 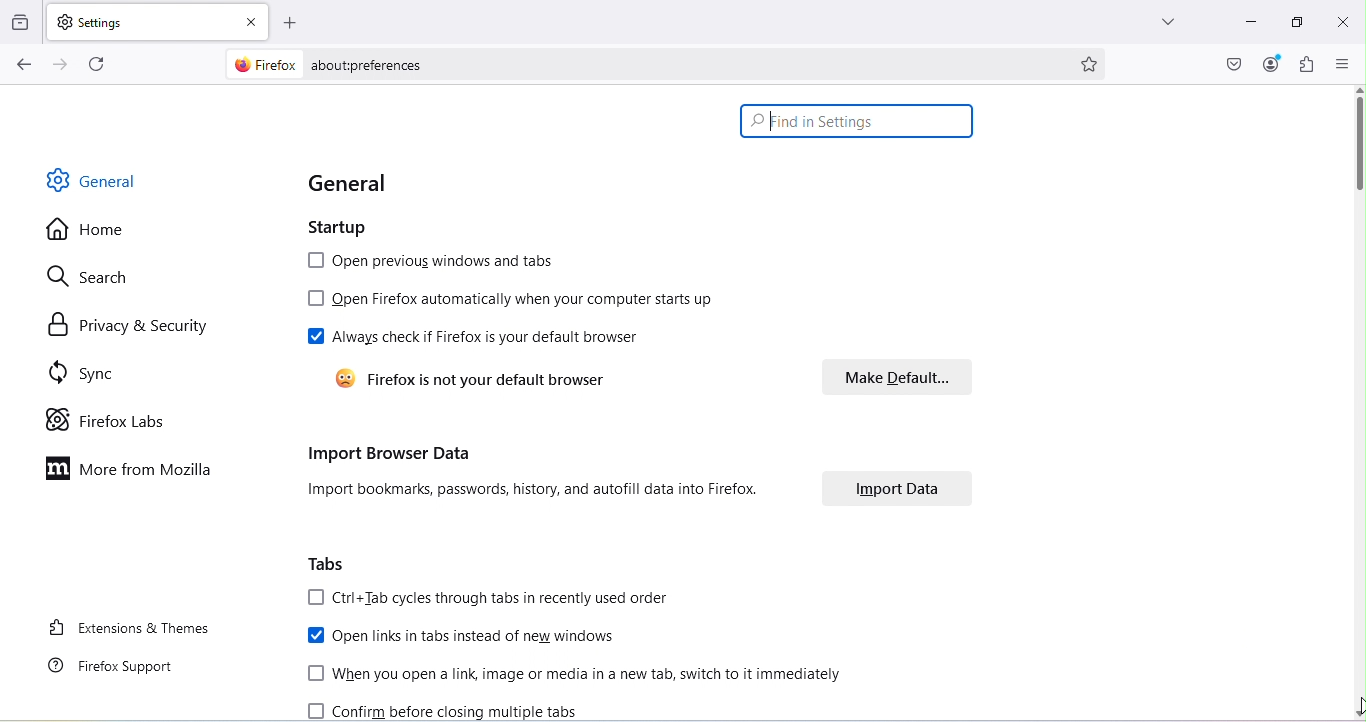 I want to click on Minimize, so click(x=1250, y=24).